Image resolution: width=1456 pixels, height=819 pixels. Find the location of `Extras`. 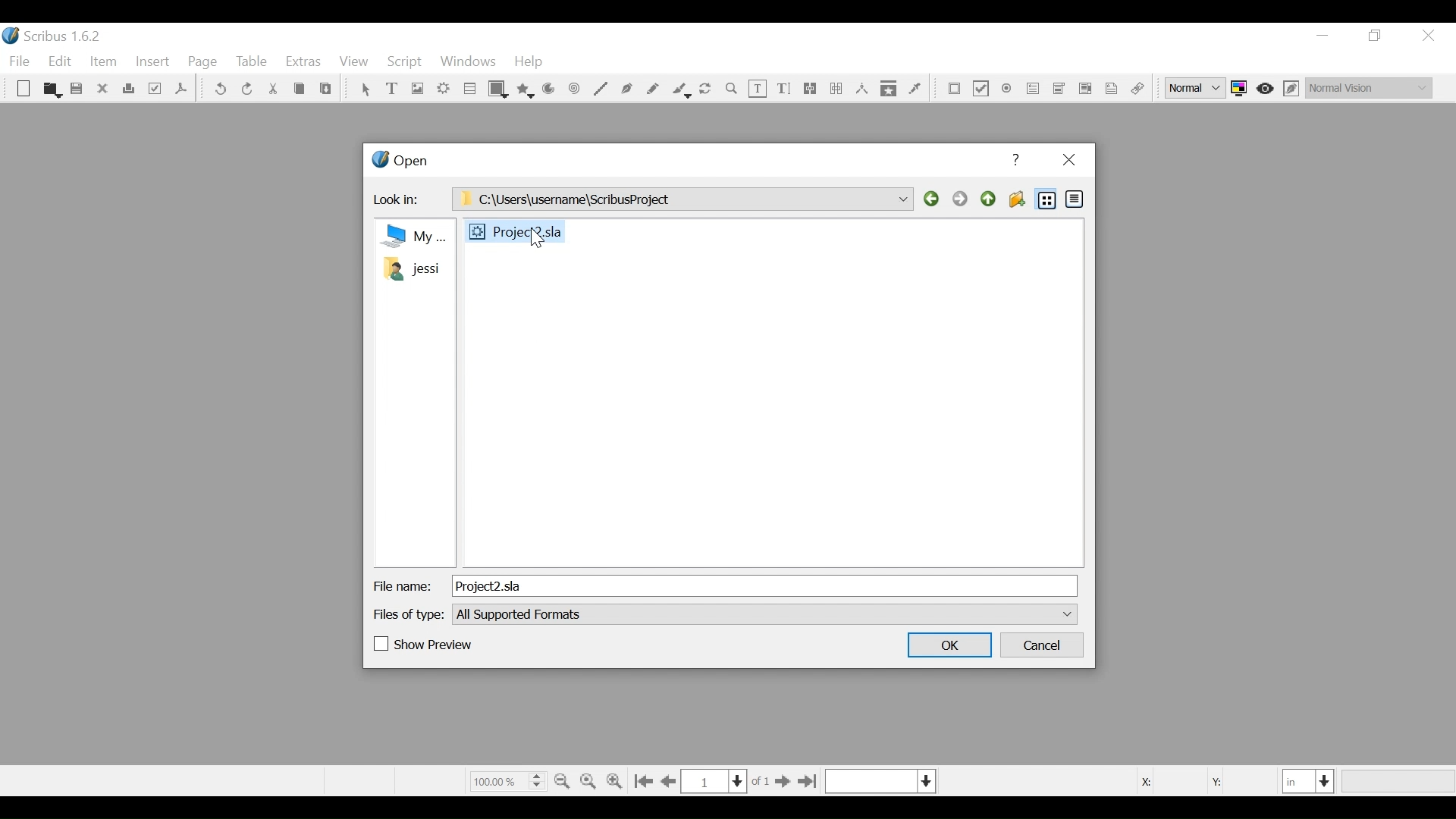

Extras is located at coordinates (303, 63).